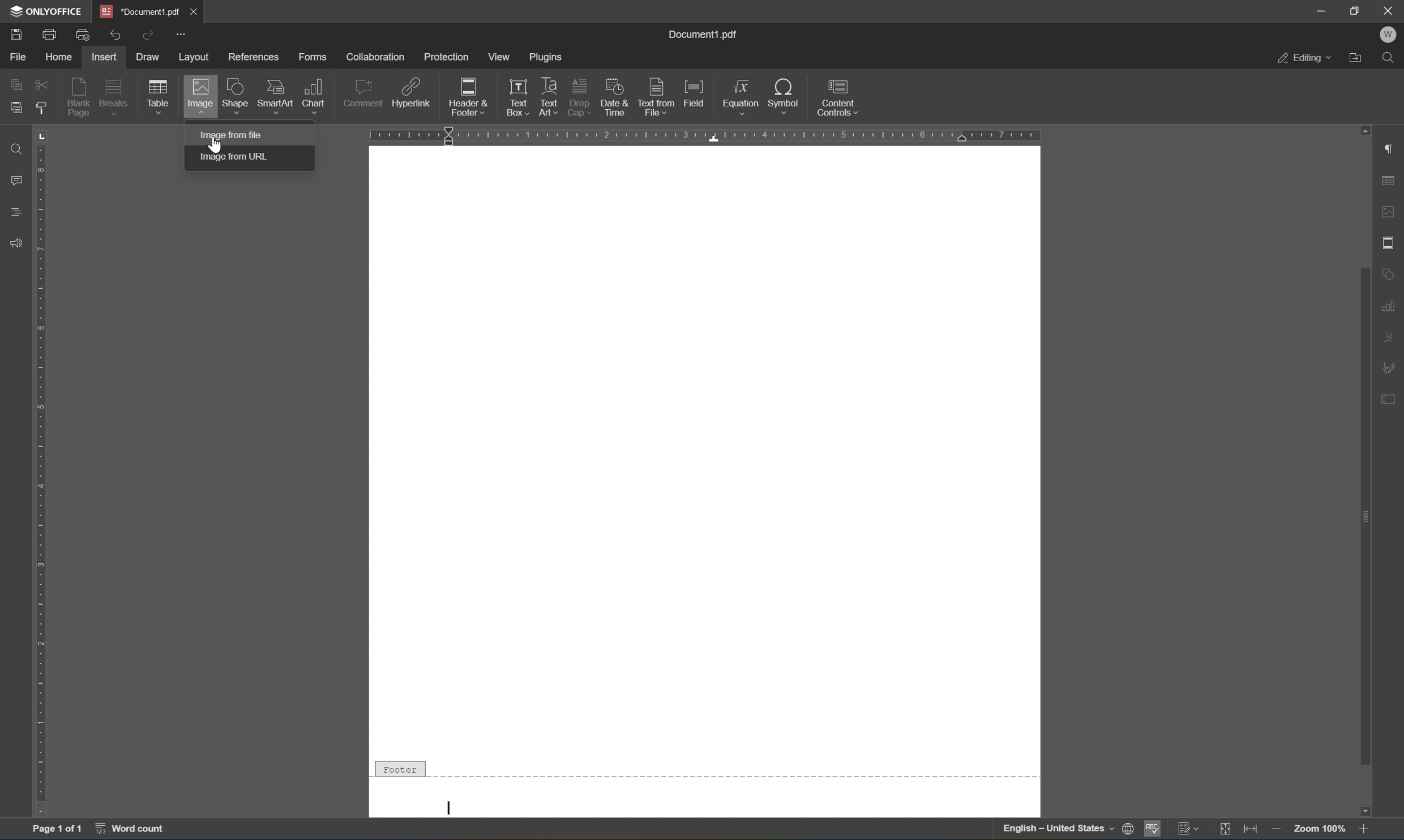  What do you see at coordinates (1389, 209) in the screenshot?
I see `image settings` at bounding box center [1389, 209].